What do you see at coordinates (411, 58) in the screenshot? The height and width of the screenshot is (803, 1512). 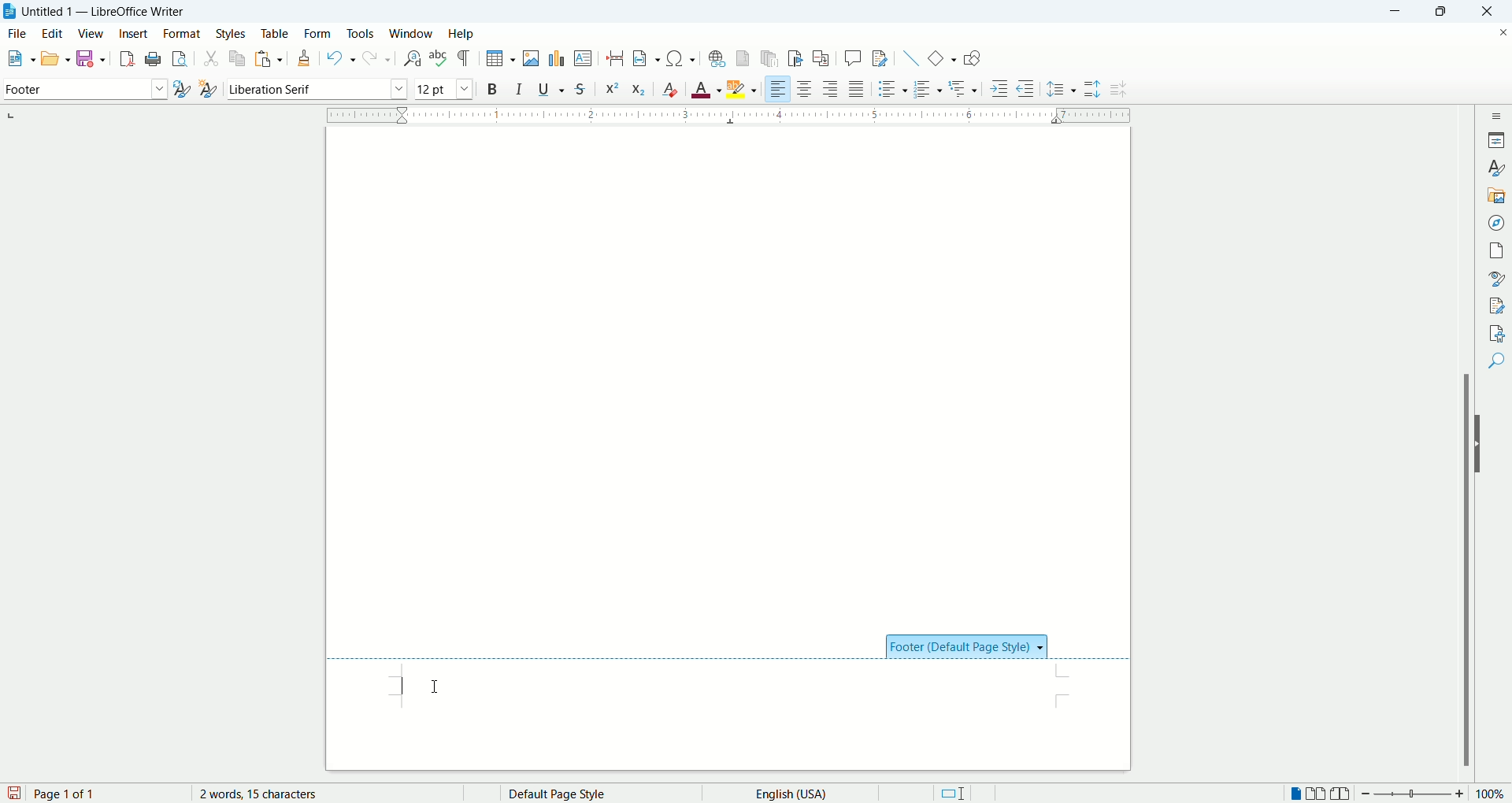 I see `find and replace` at bounding box center [411, 58].